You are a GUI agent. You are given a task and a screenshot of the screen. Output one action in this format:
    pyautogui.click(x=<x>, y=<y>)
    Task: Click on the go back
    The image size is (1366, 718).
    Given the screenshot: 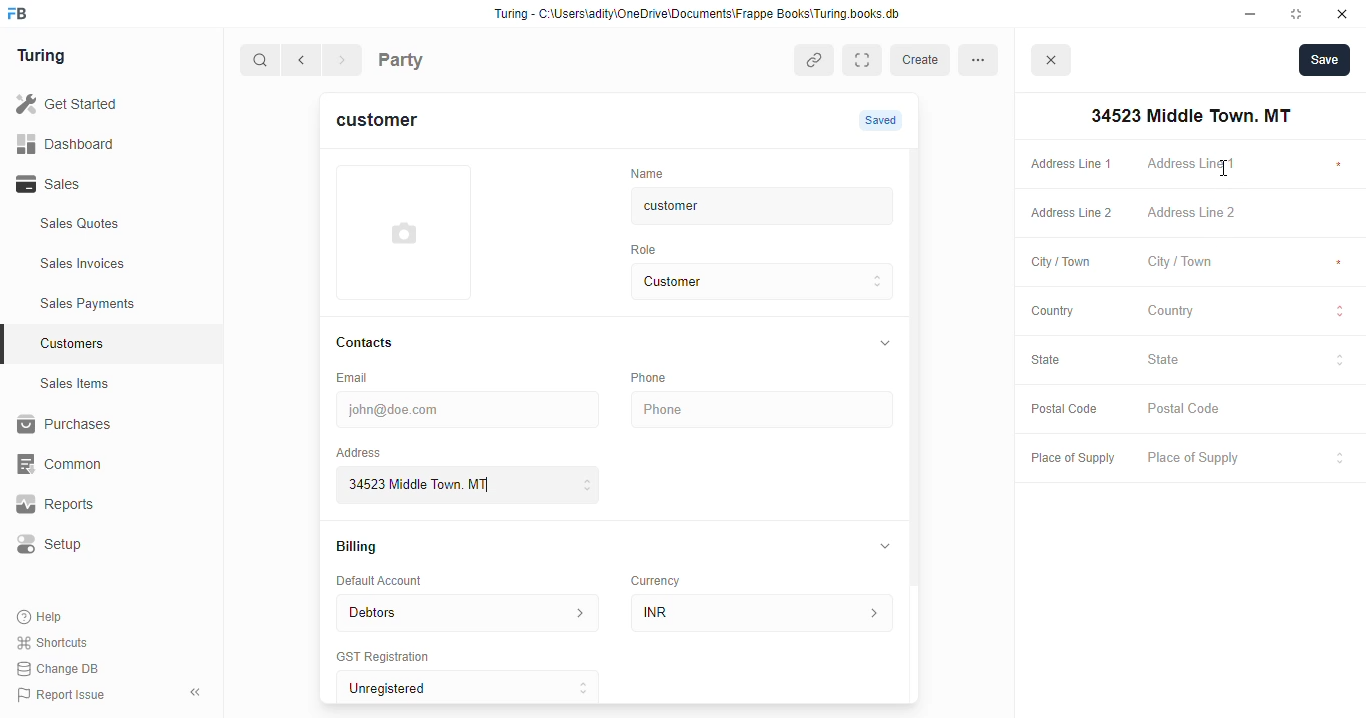 What is the action you would take?
    pyautogui.click(x=305, y=61)
    